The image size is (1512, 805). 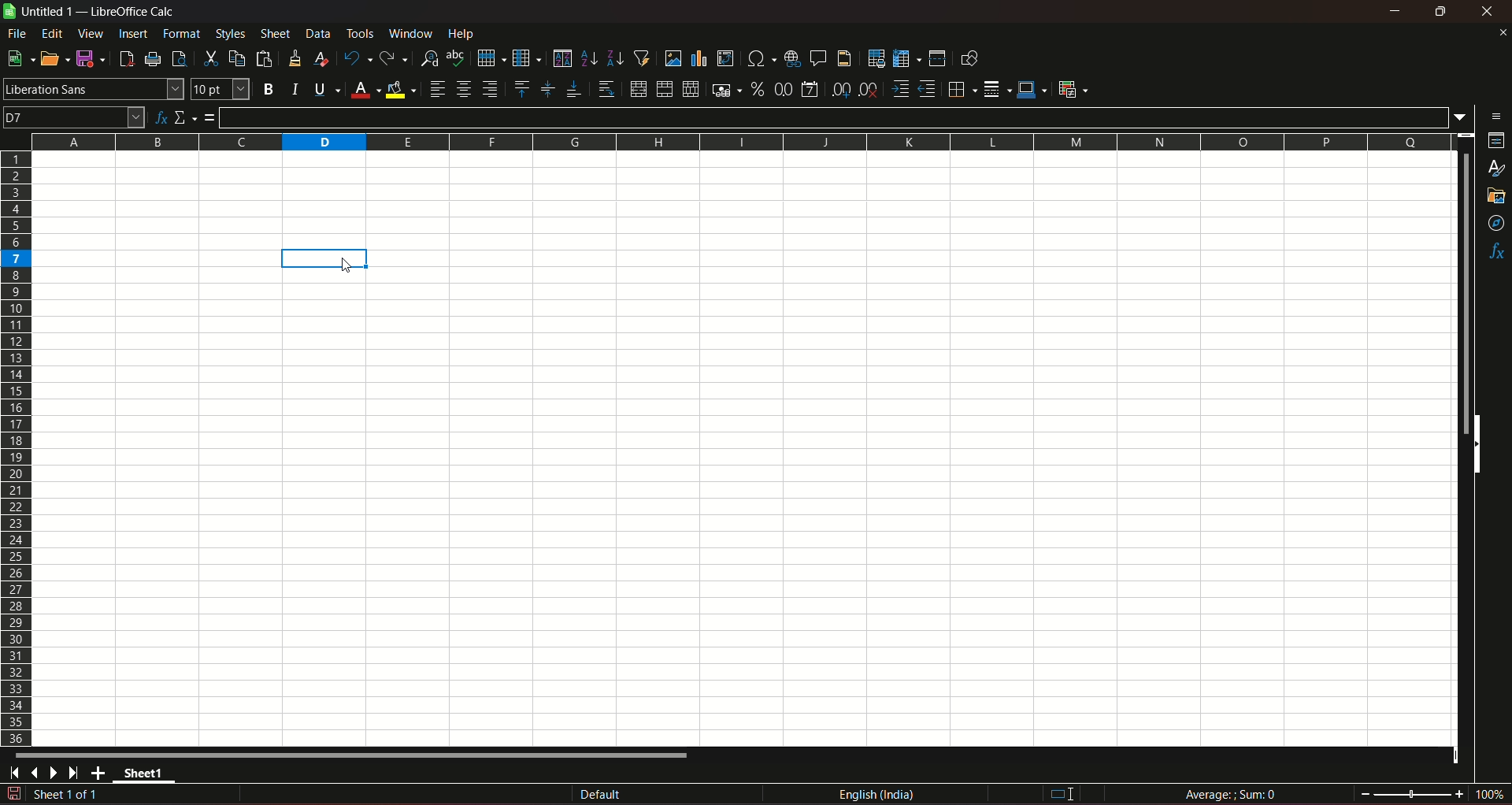 What do you see at coordinates (738, 139) in the screenshot?
I see `columns` at bounding box center [738, 139].